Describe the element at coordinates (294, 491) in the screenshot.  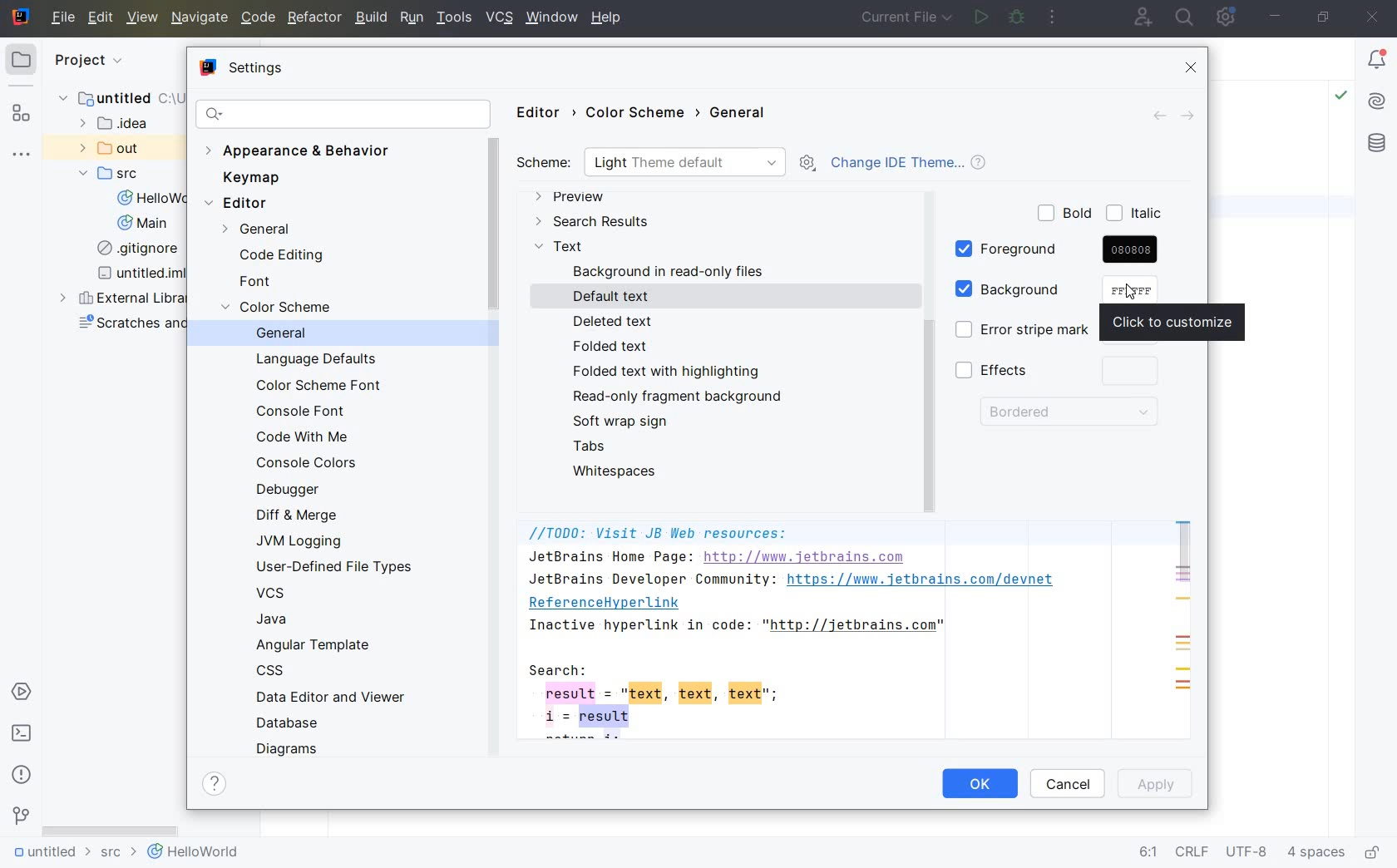
I see `DEBUGGER` at that location.